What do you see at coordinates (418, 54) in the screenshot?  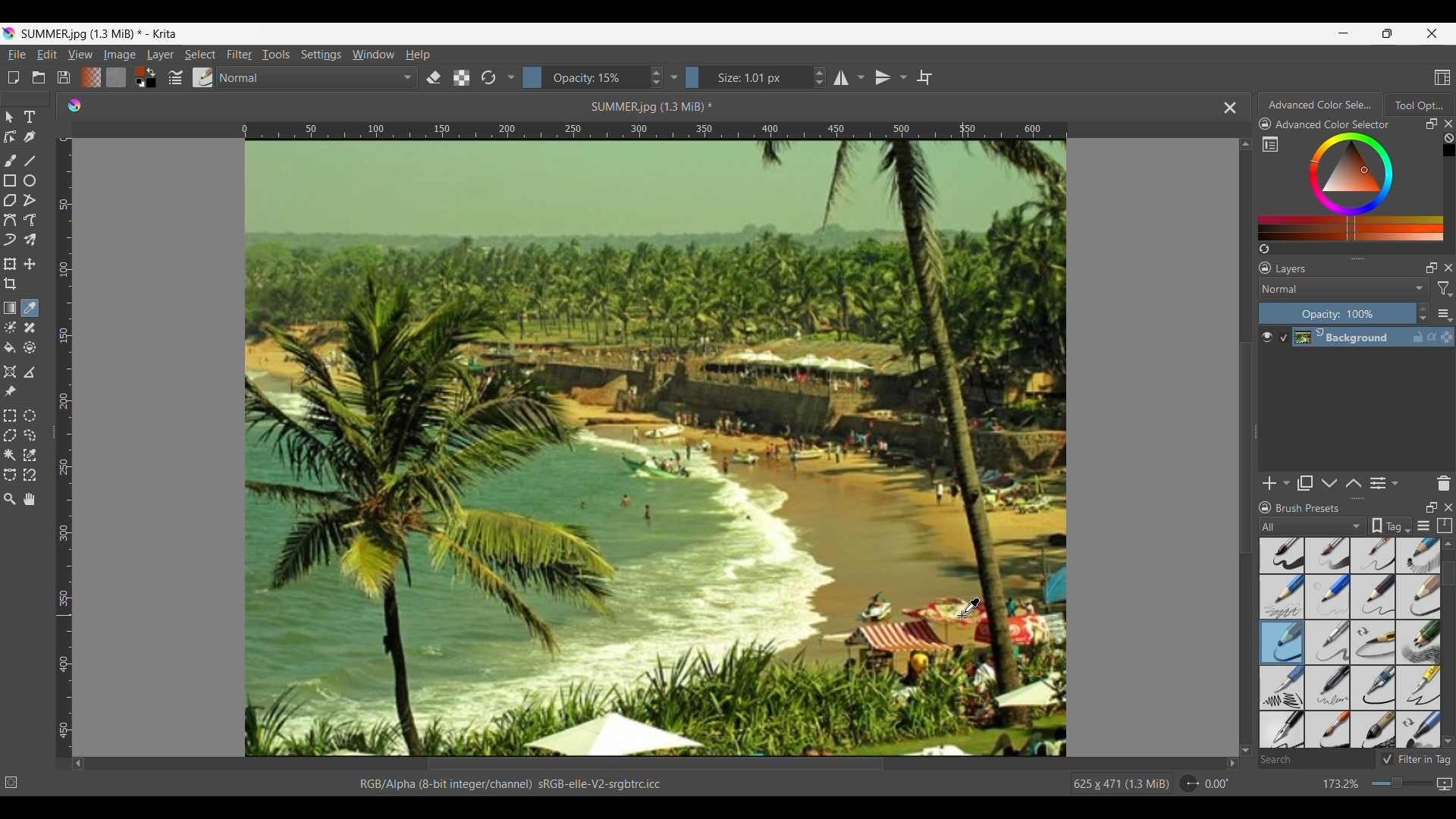 I see `Help menu` at bounding box center [418, 54].